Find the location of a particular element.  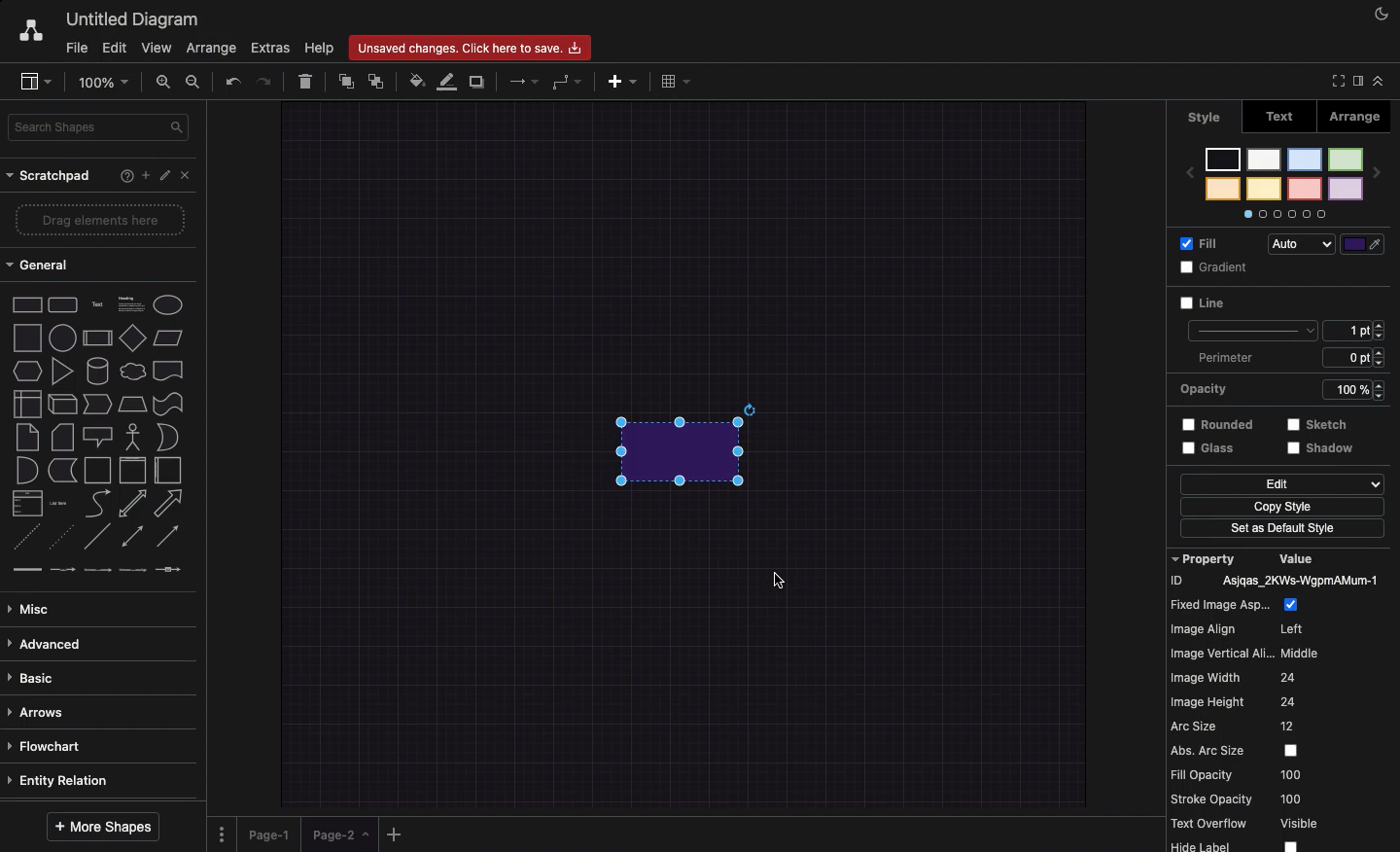

Table is located at coordinates (673, 81).